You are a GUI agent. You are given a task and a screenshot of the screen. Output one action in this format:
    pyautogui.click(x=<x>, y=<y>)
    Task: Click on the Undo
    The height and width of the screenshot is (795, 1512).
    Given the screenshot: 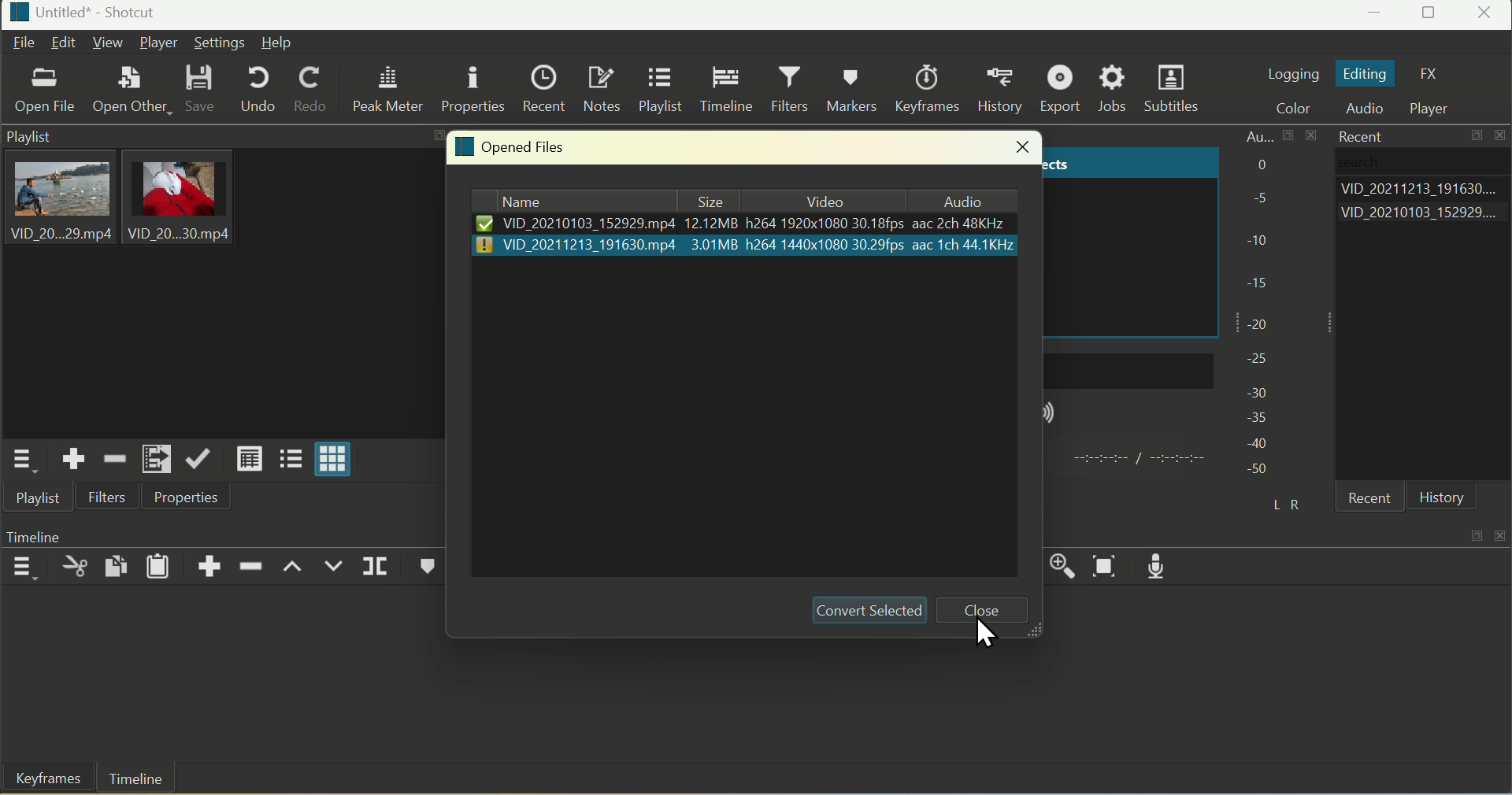 What is the action you would take?
    pyautogui.click(x=258, y=88)
    